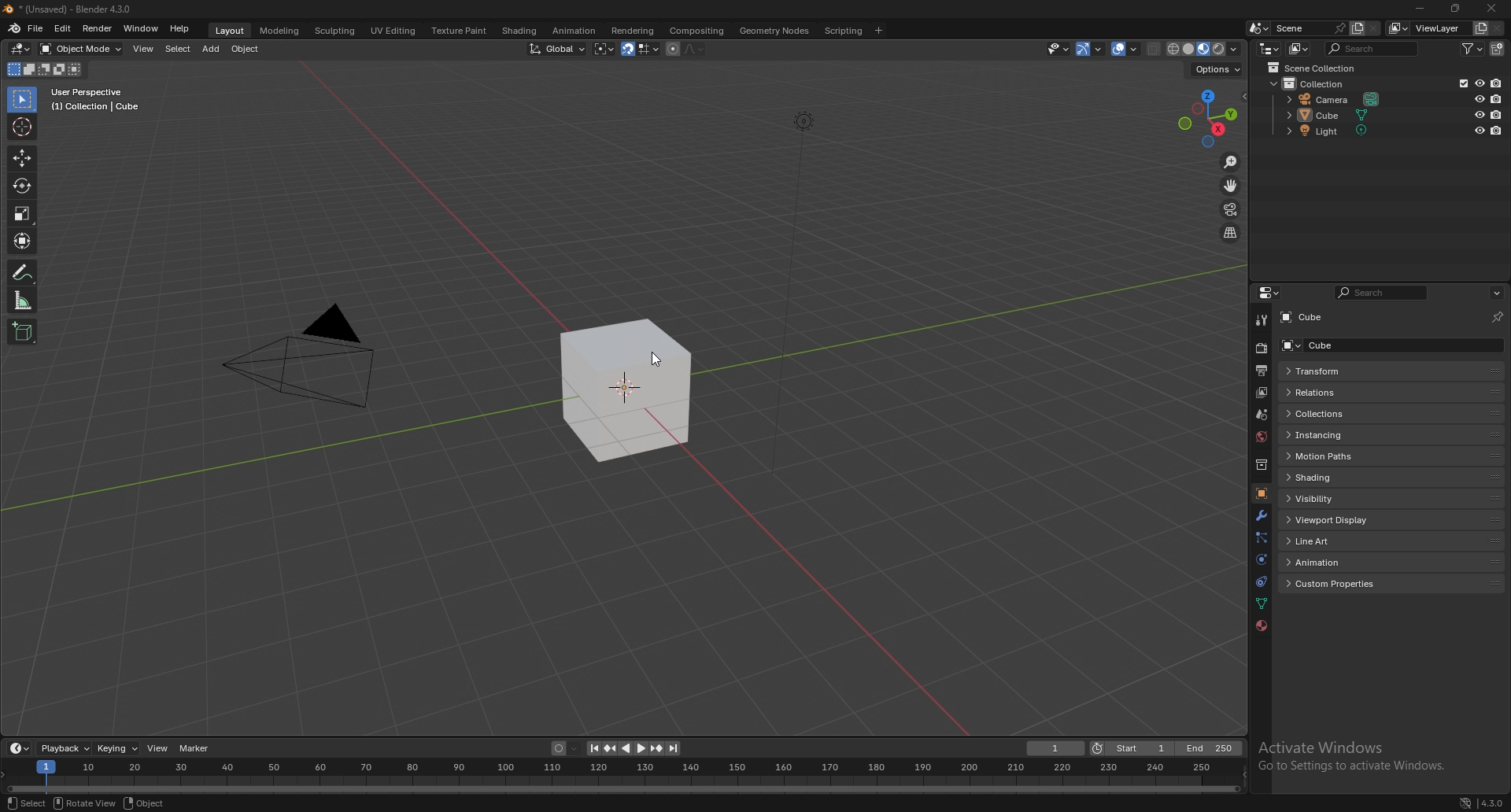  What do you see at coordinates (1260, 371) in the screenshot?
I see `output` at bounding box center [1260, 371].